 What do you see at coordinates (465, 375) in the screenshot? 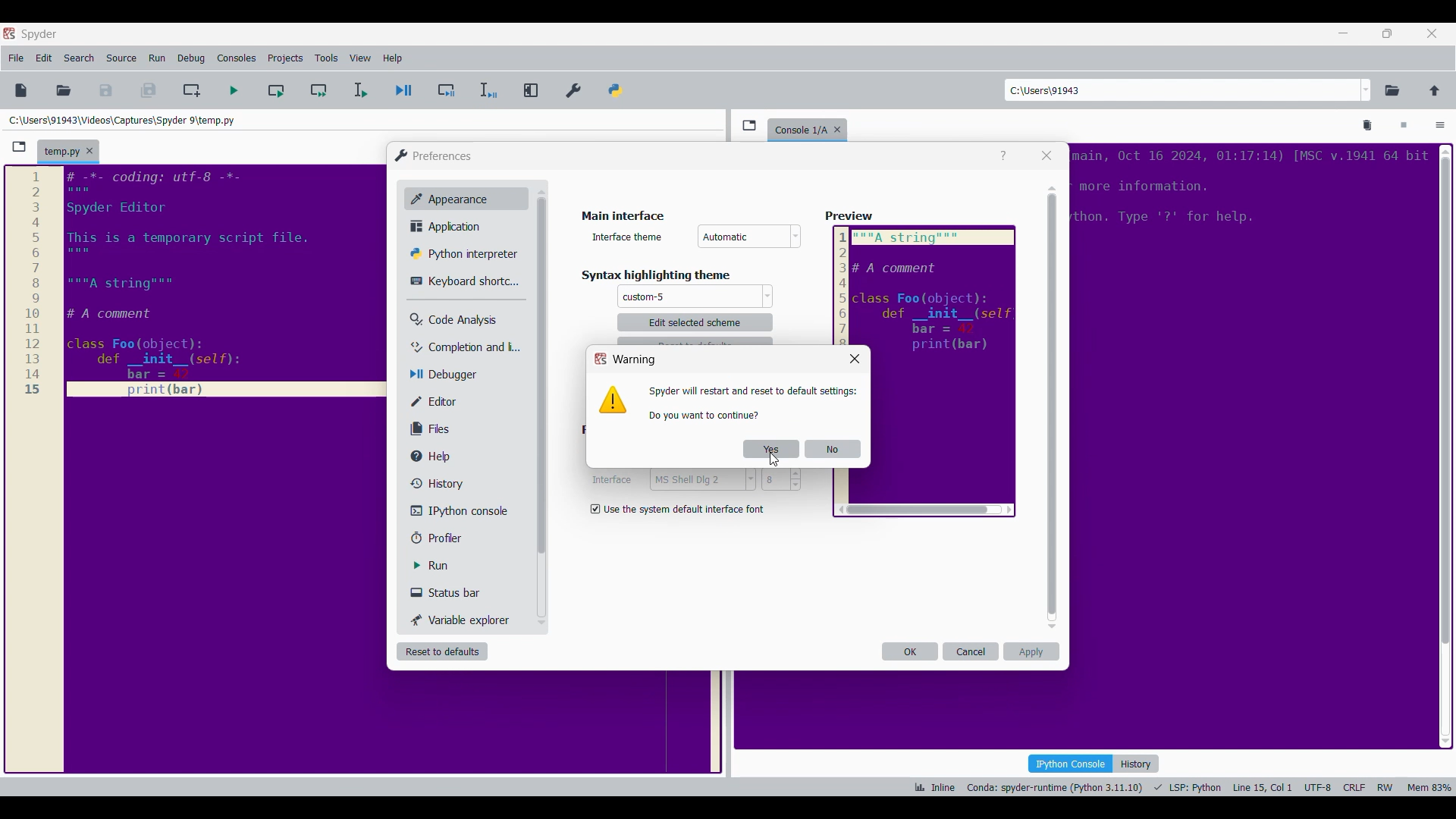
I see `Debugger` at bounding box center [465, 375].